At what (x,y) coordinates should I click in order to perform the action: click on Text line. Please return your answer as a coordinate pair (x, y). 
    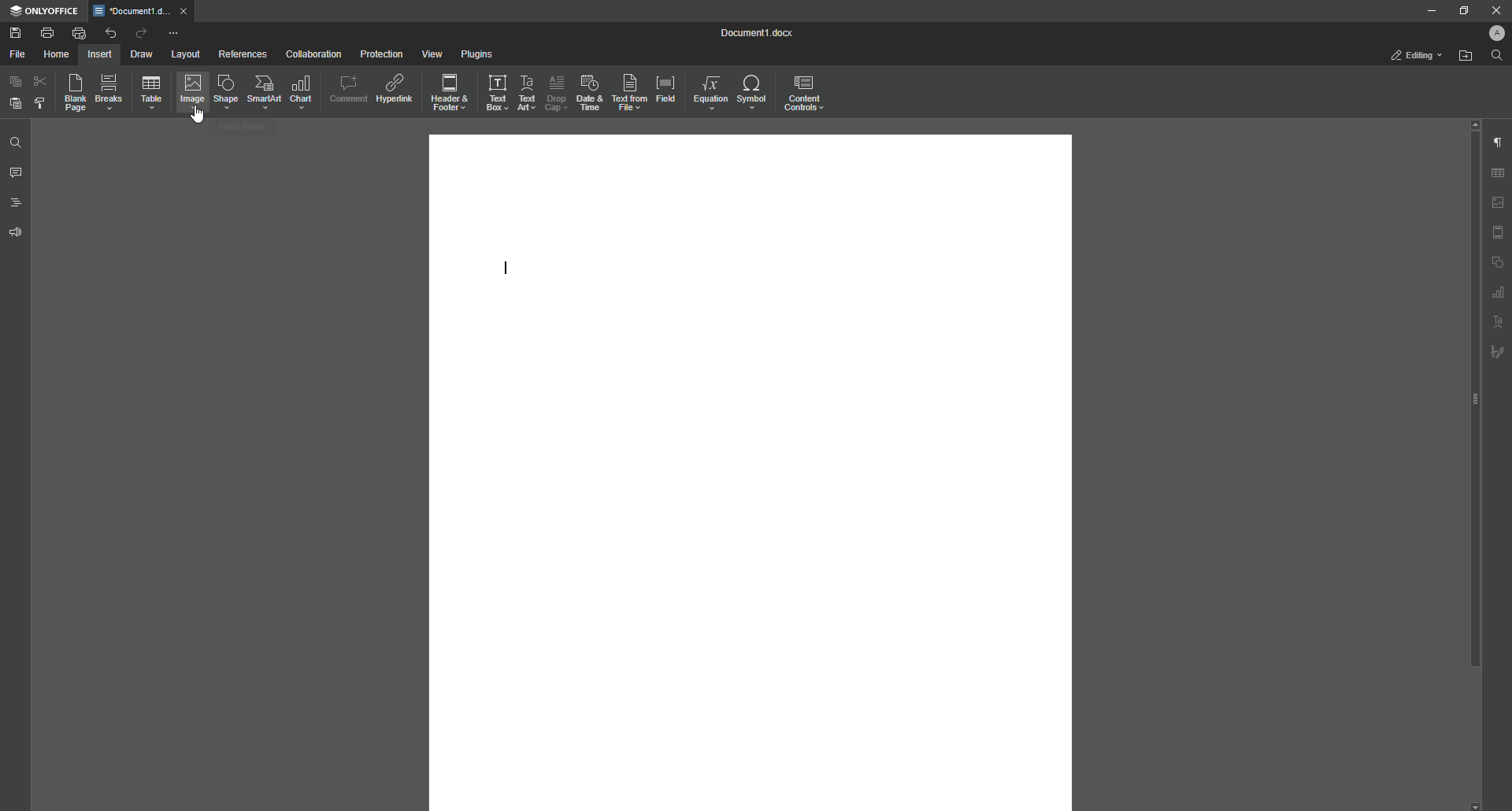
    Looking at the image, I should click on (507, 263).